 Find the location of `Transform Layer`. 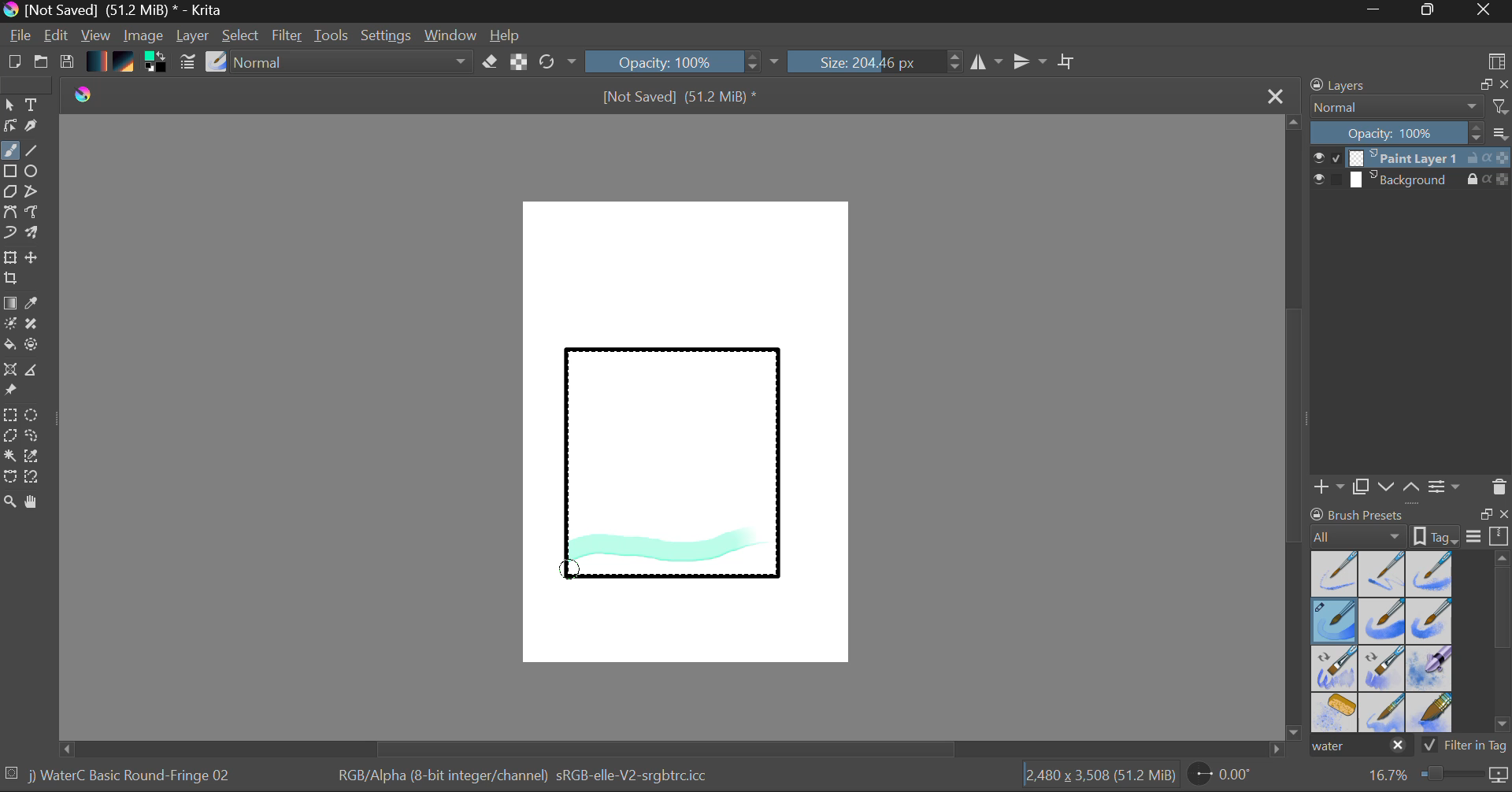

Transform Layer is located at coordinates (9, 256).